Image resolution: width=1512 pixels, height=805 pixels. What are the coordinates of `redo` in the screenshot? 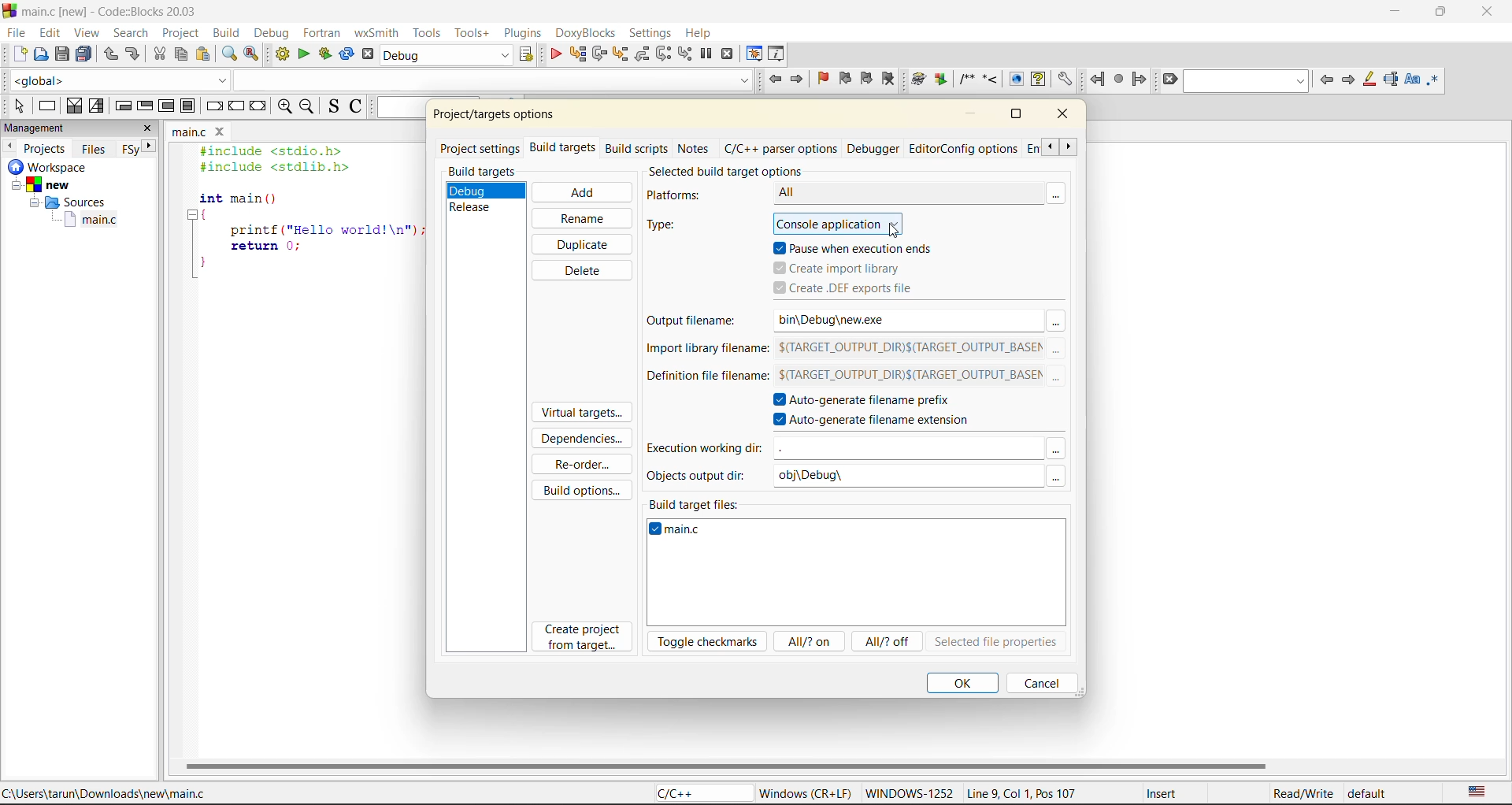 It's located at (135, 55).